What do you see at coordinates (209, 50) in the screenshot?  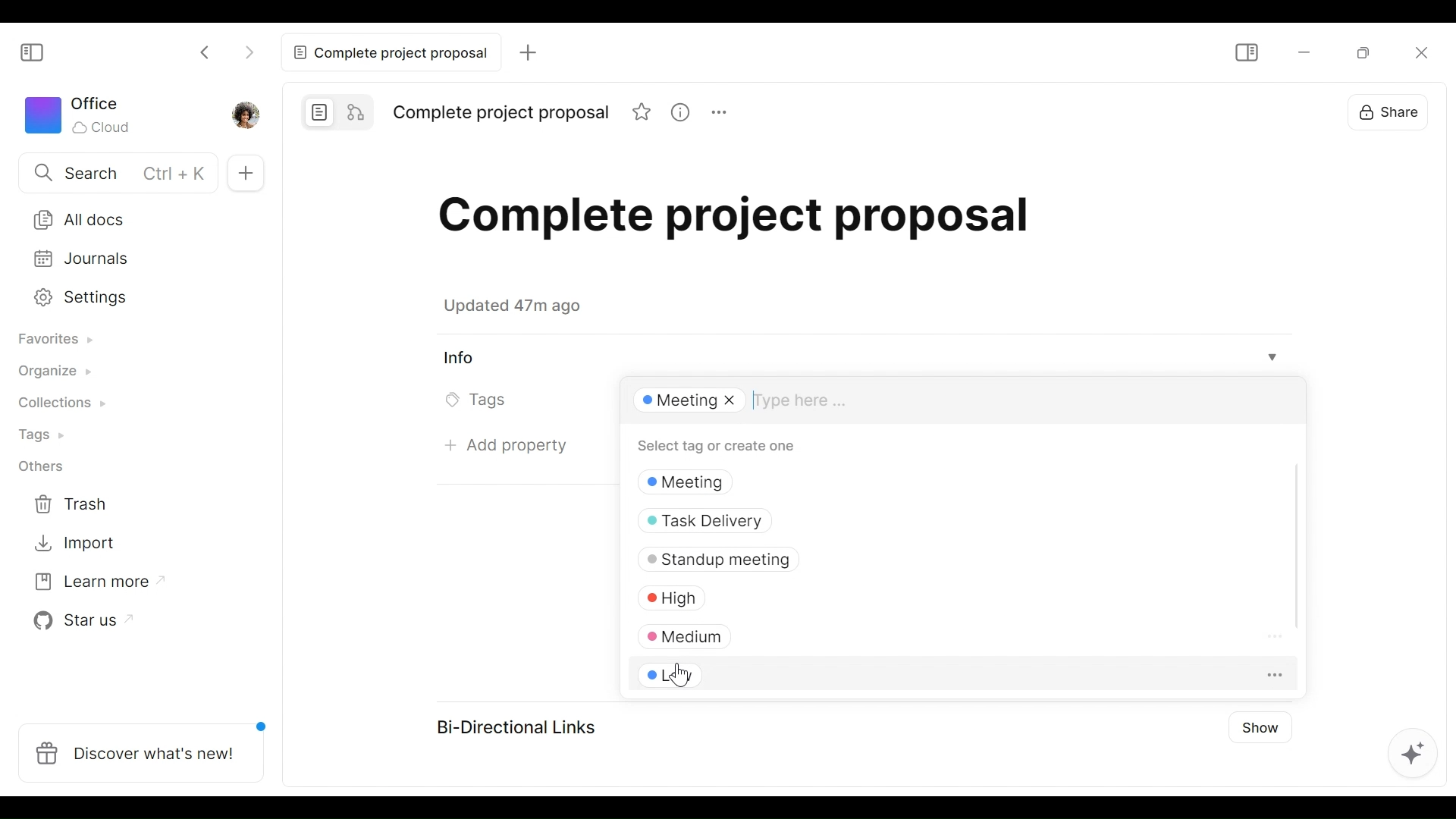 I see `Click to go back` at bounding box center [209, 50].